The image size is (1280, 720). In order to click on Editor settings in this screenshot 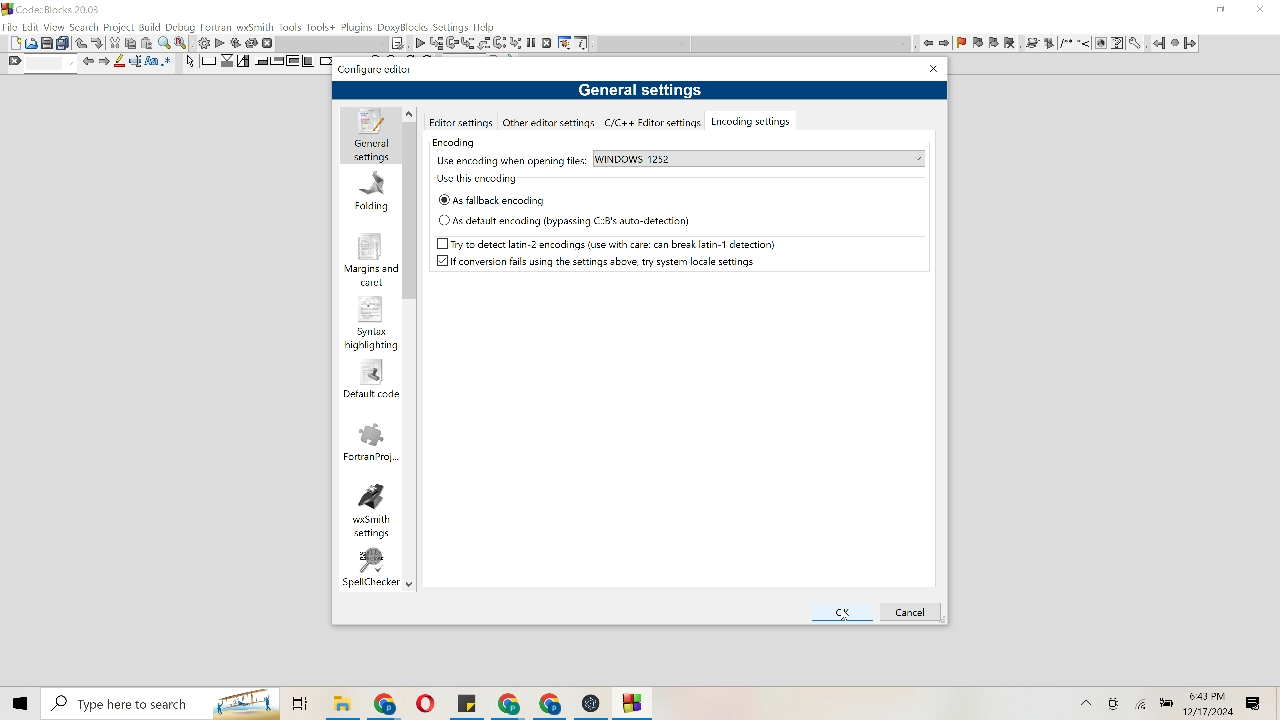, I will do `click(462, 121)`.